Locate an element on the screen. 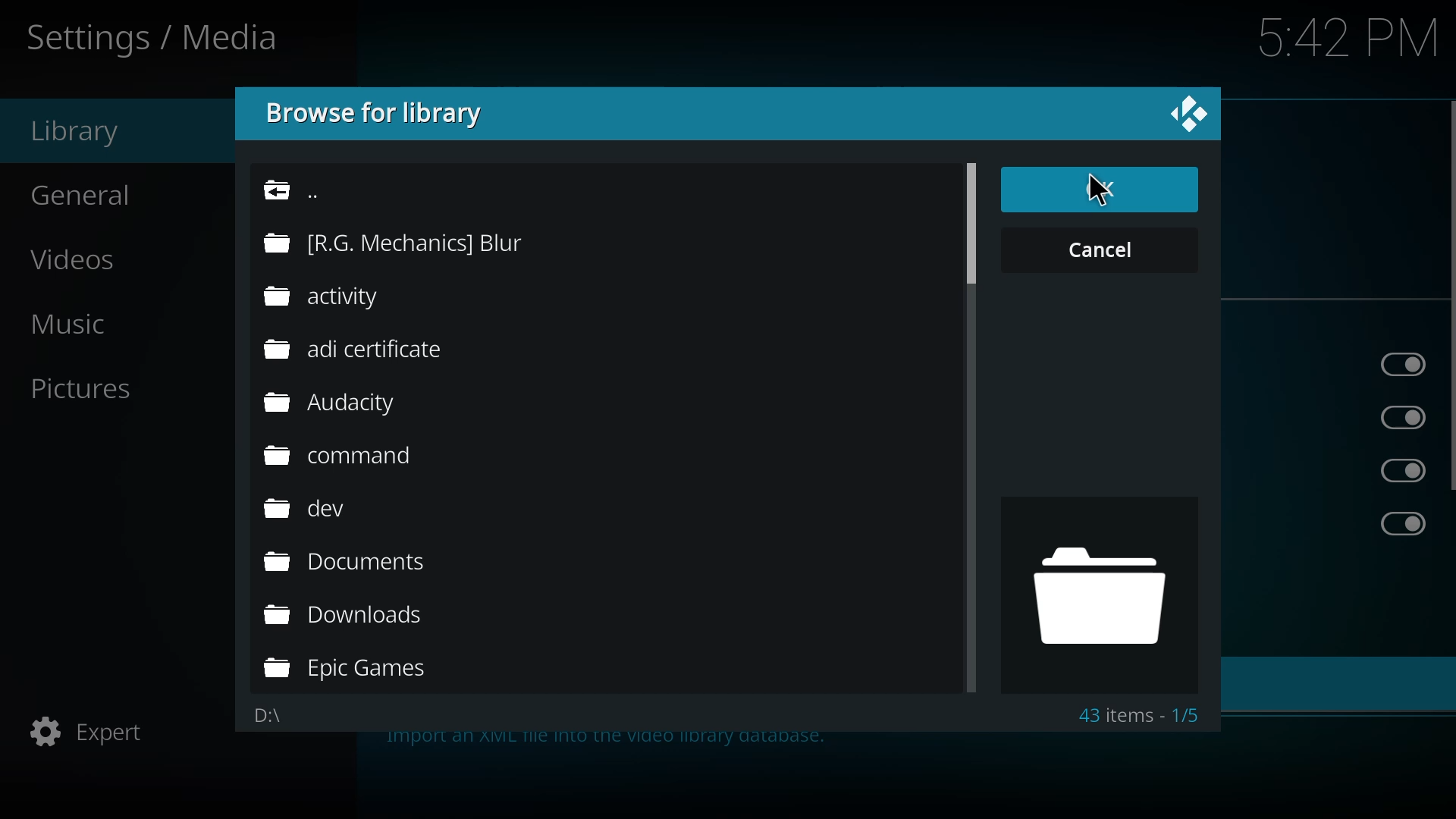 The image size is (1456, 819). folder is located at coordinates (355, 350).